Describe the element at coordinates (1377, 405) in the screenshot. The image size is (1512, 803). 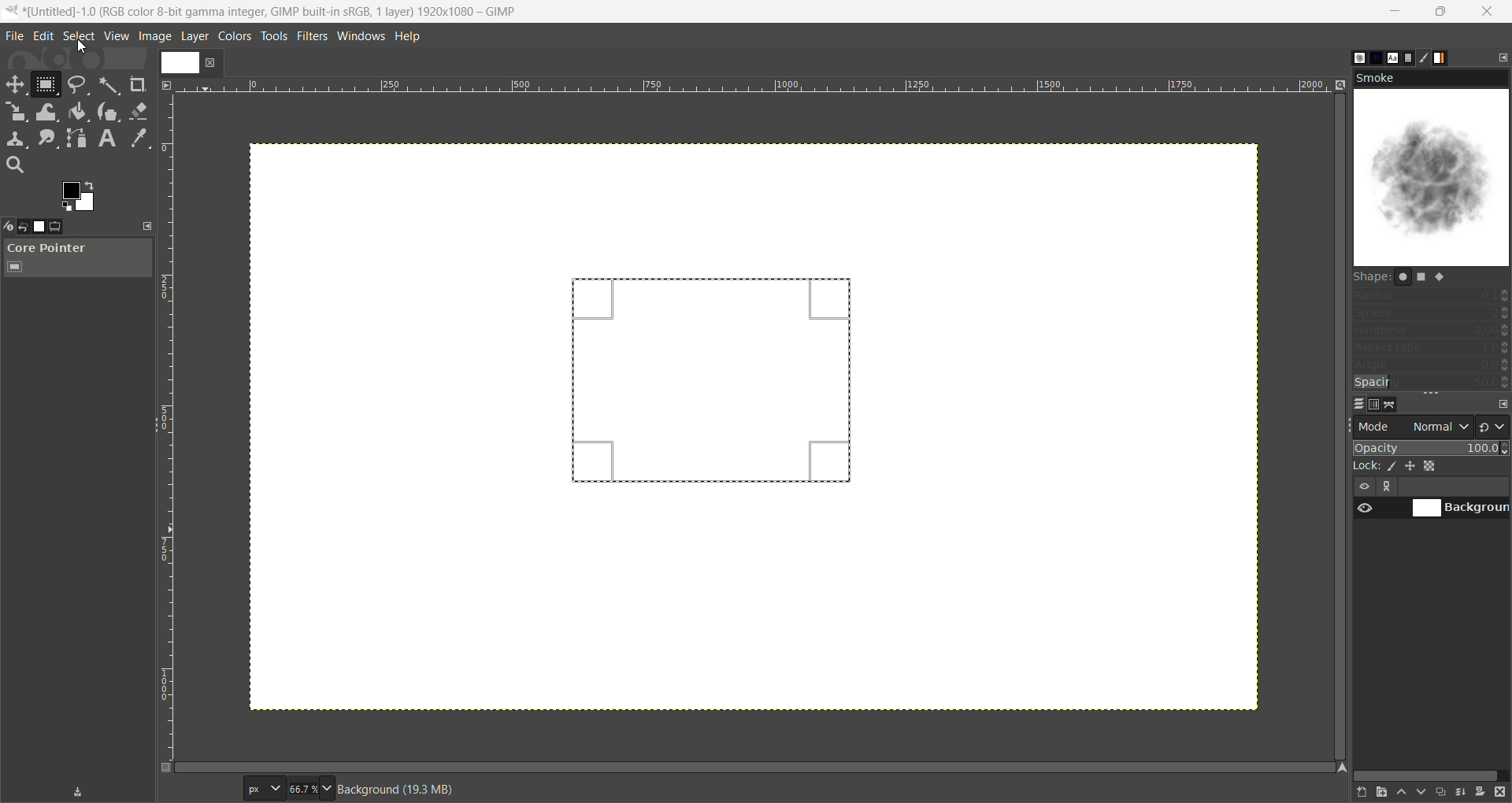
I see `channel` at that location.